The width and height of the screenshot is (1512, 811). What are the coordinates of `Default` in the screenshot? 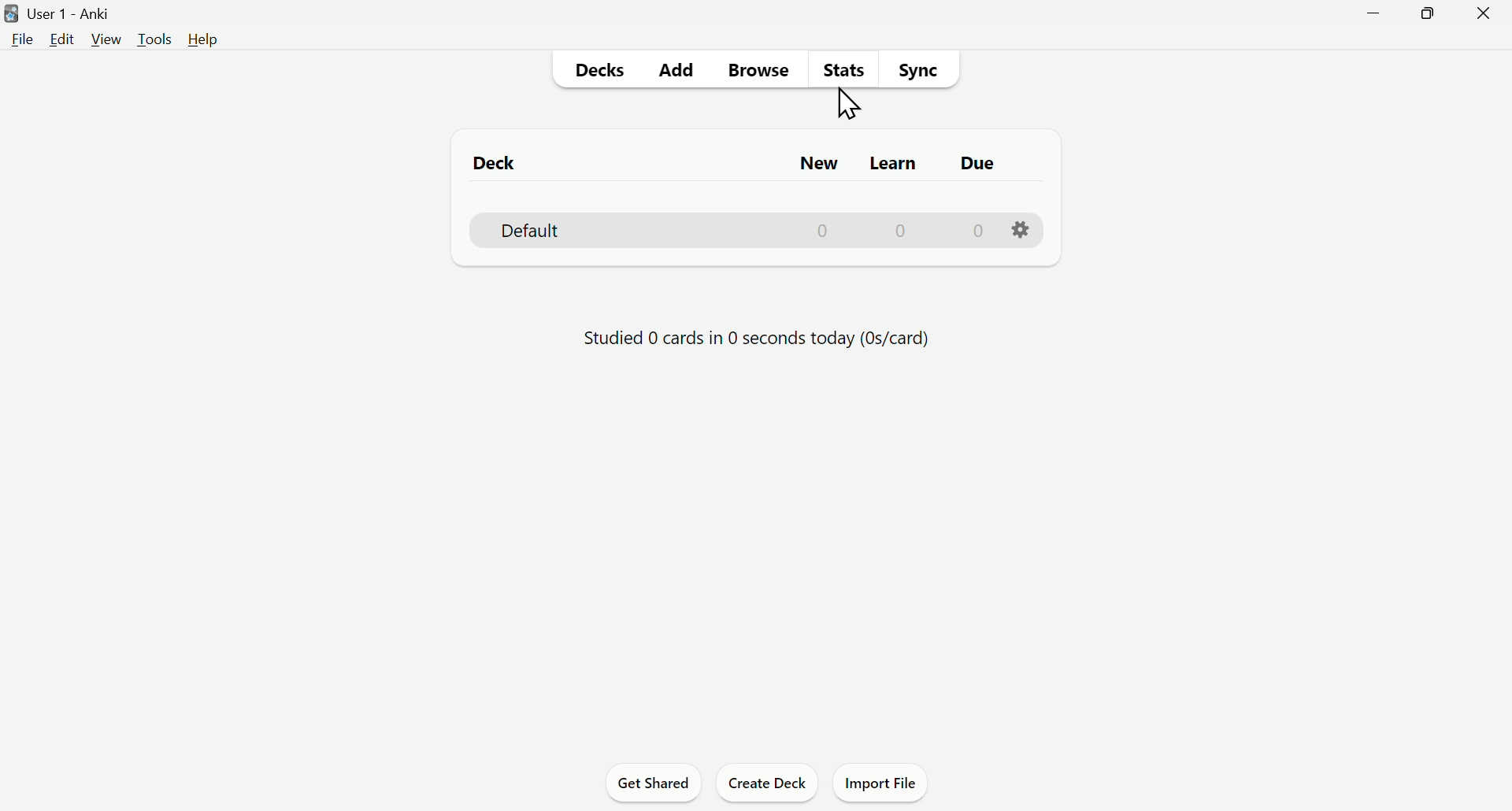 It's located at (528, 229).